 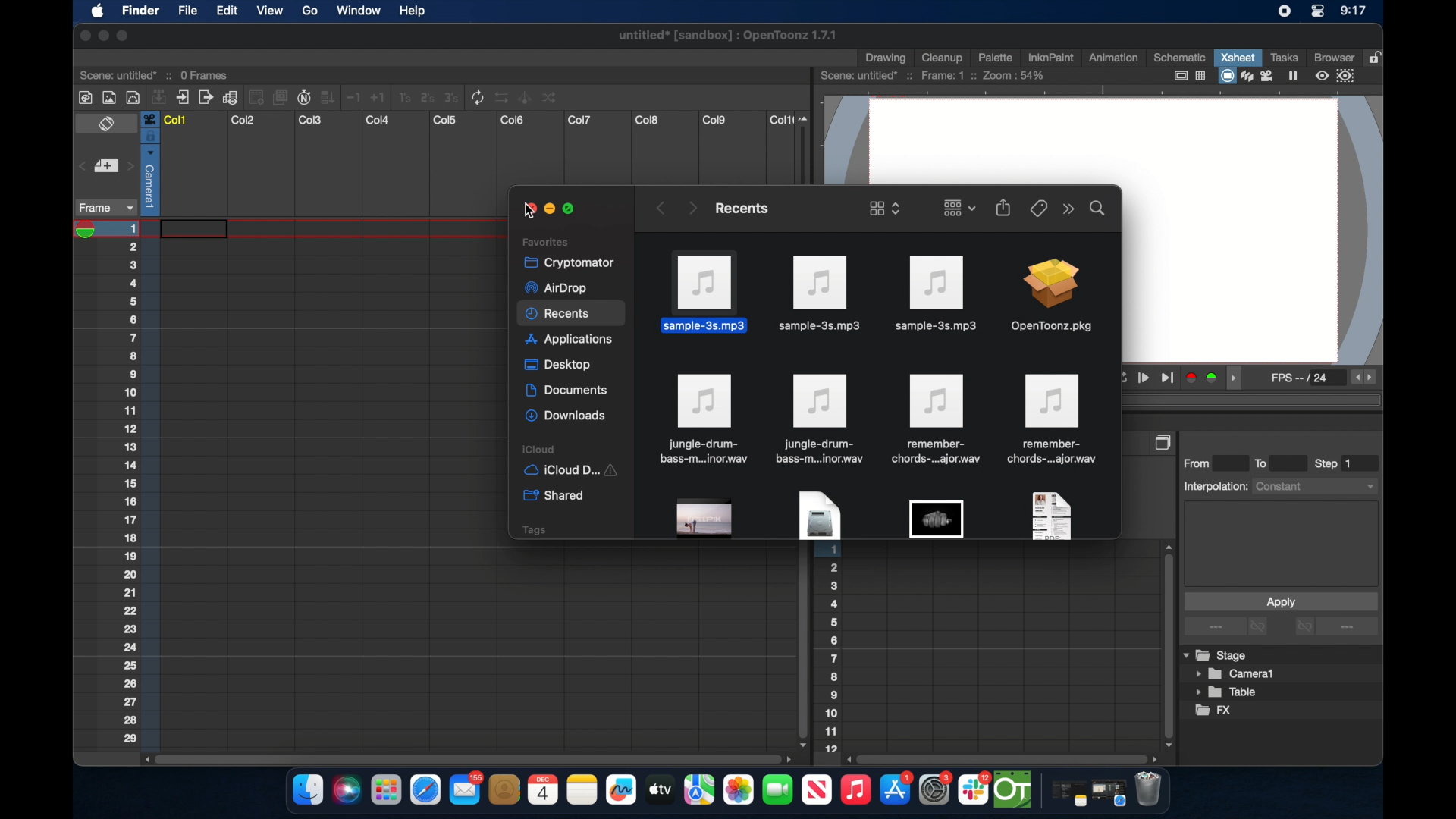 What do you see at coordinates (692, 207) in the screenshot?
I see `next` at bounding box center [692, 207].